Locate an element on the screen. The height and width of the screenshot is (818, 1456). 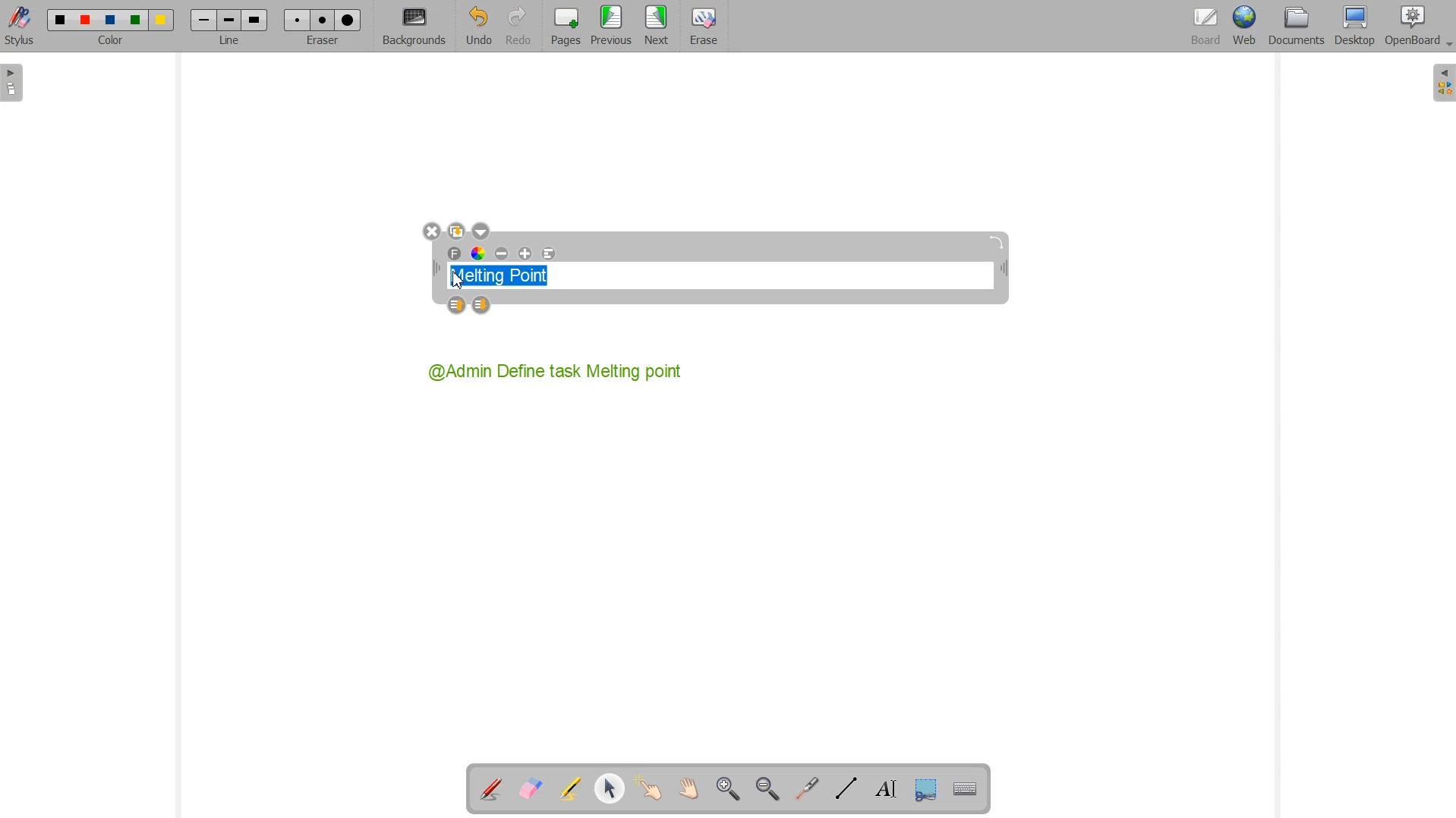
Minimize text size is located at coordinates (503, 254).